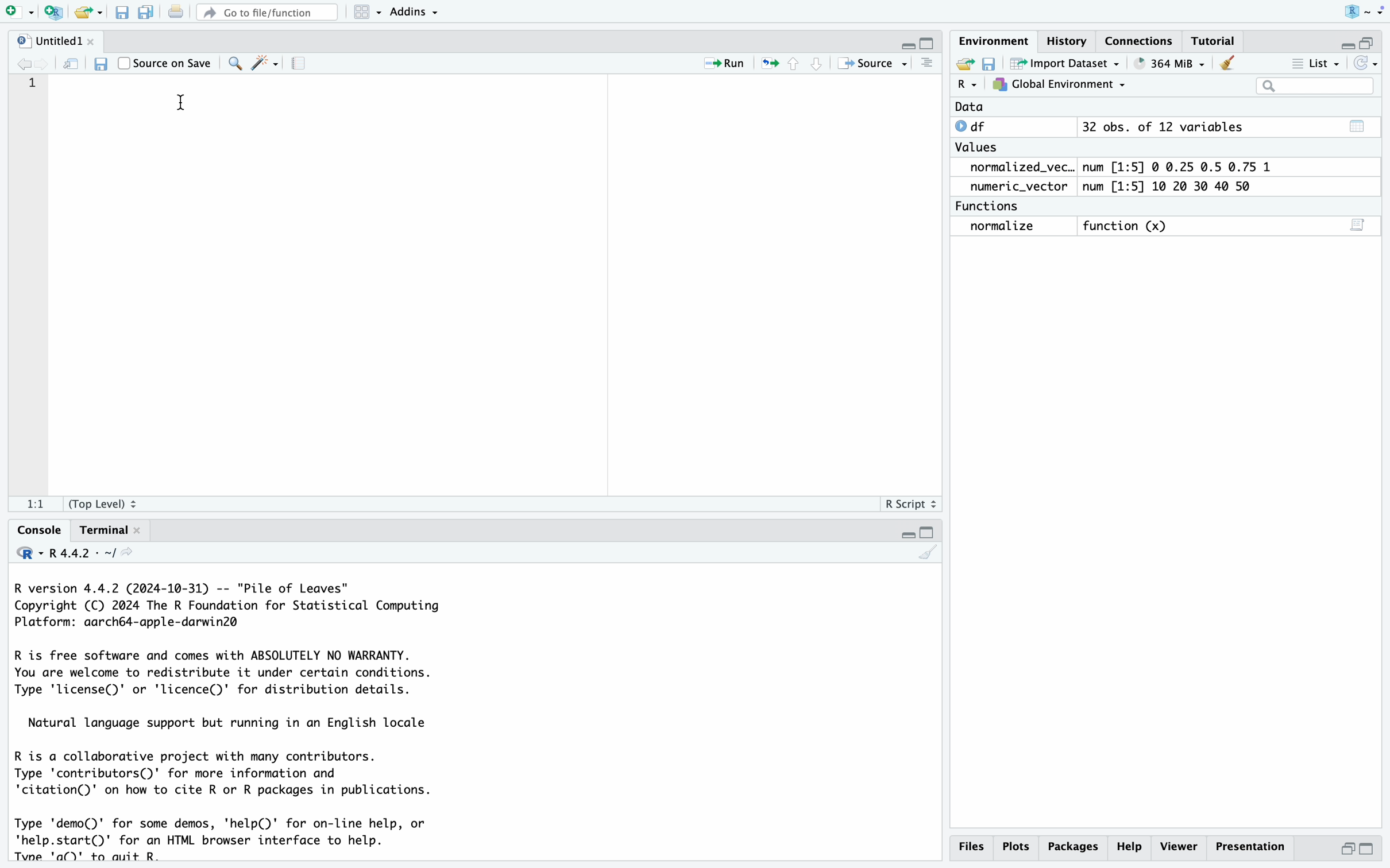 This screenshot has height=868, width=1390. What do you see at coordinates (263, 62) in the screenshot?
I see `Wand` at bounding box center [263, 62].